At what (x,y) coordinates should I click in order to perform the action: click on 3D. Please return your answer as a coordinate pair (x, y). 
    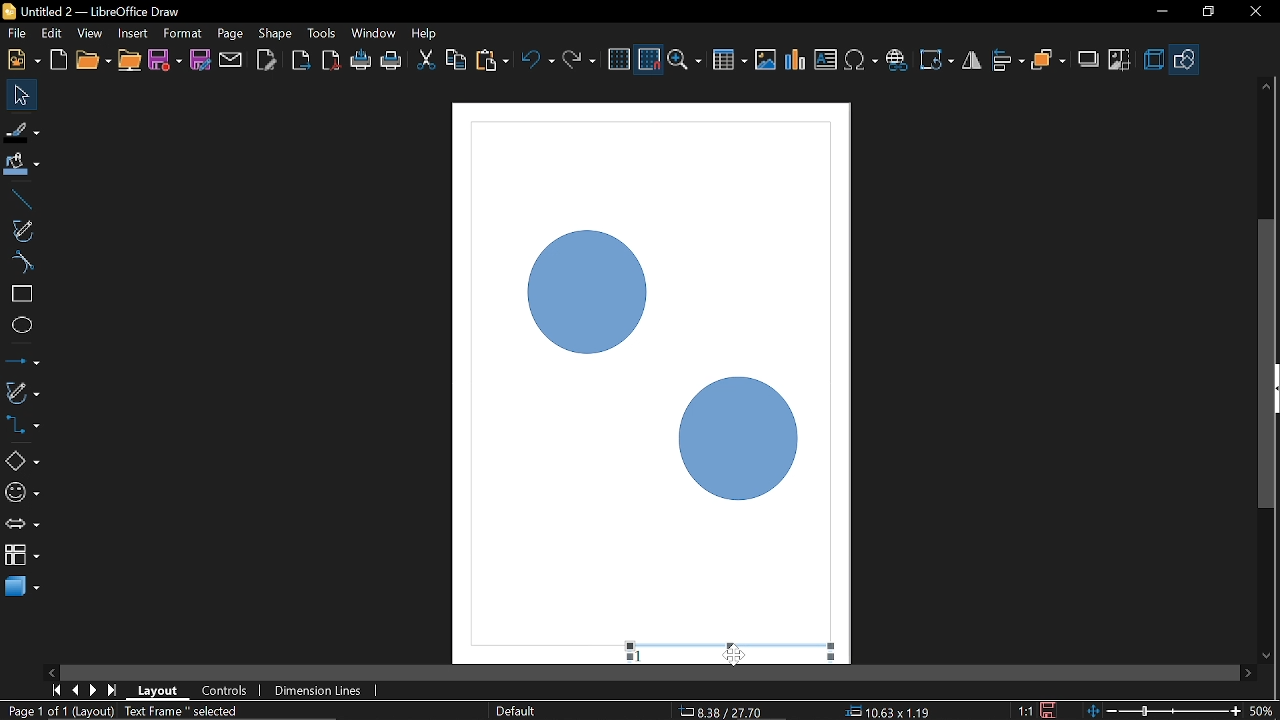
    Looking at the image, I should click on (1154, 61).